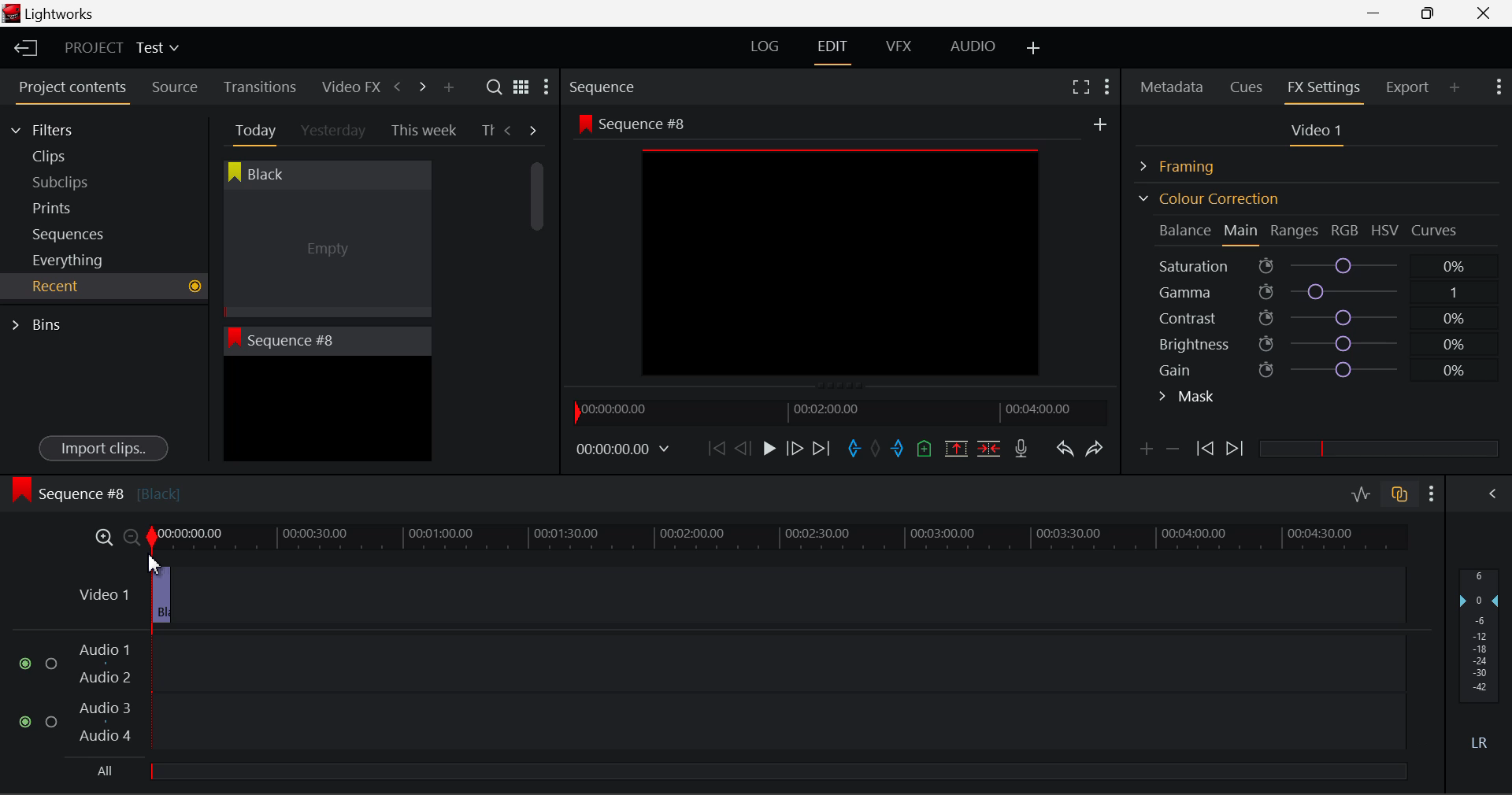 The height and width of the screenshot is (795, 1512). I want to click on Metadata Panel, so click(1173, 84).